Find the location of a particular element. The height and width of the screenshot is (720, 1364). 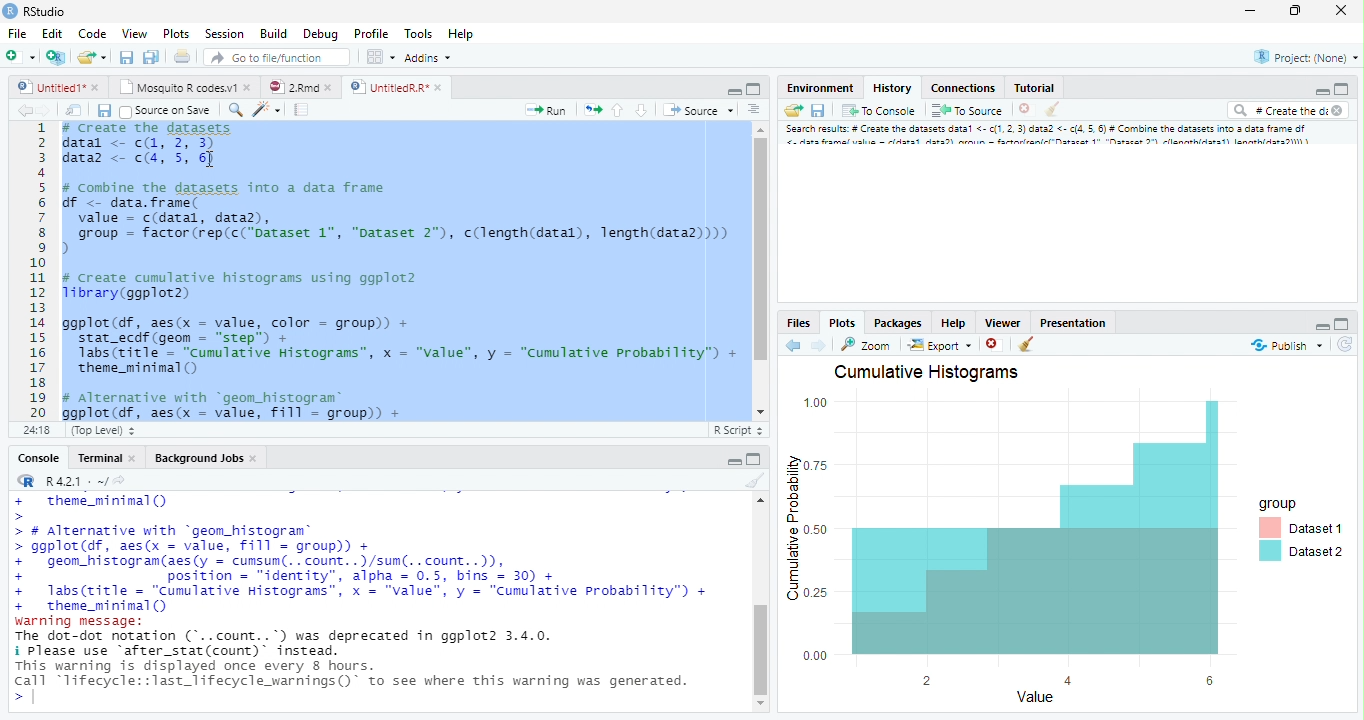

Mosquito R codes is located at coordinates (188, 87).